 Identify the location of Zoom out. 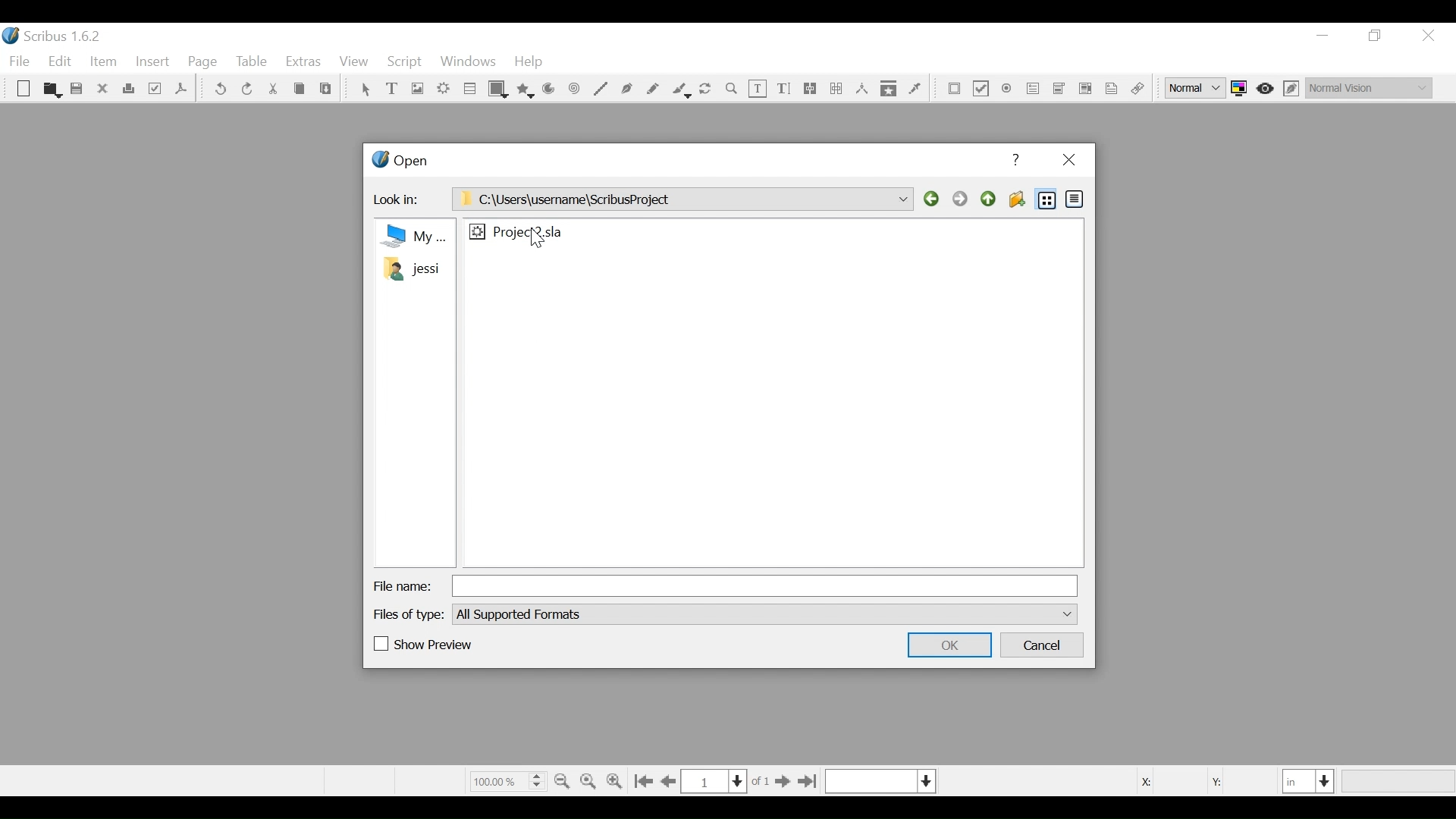
(563, 780).